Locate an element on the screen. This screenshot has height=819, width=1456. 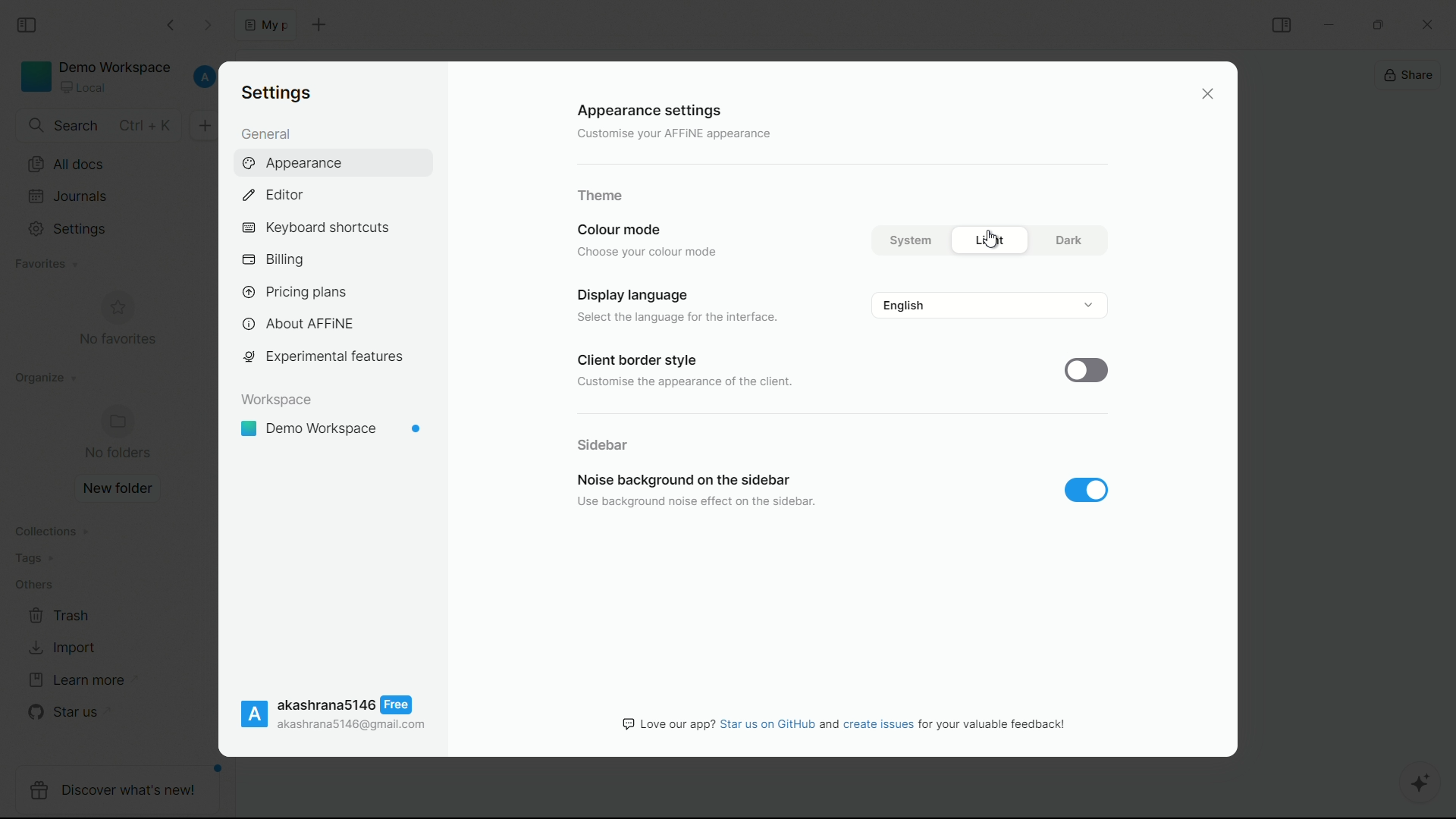
keyboard shortcuts is located at coordinates (315, 228).